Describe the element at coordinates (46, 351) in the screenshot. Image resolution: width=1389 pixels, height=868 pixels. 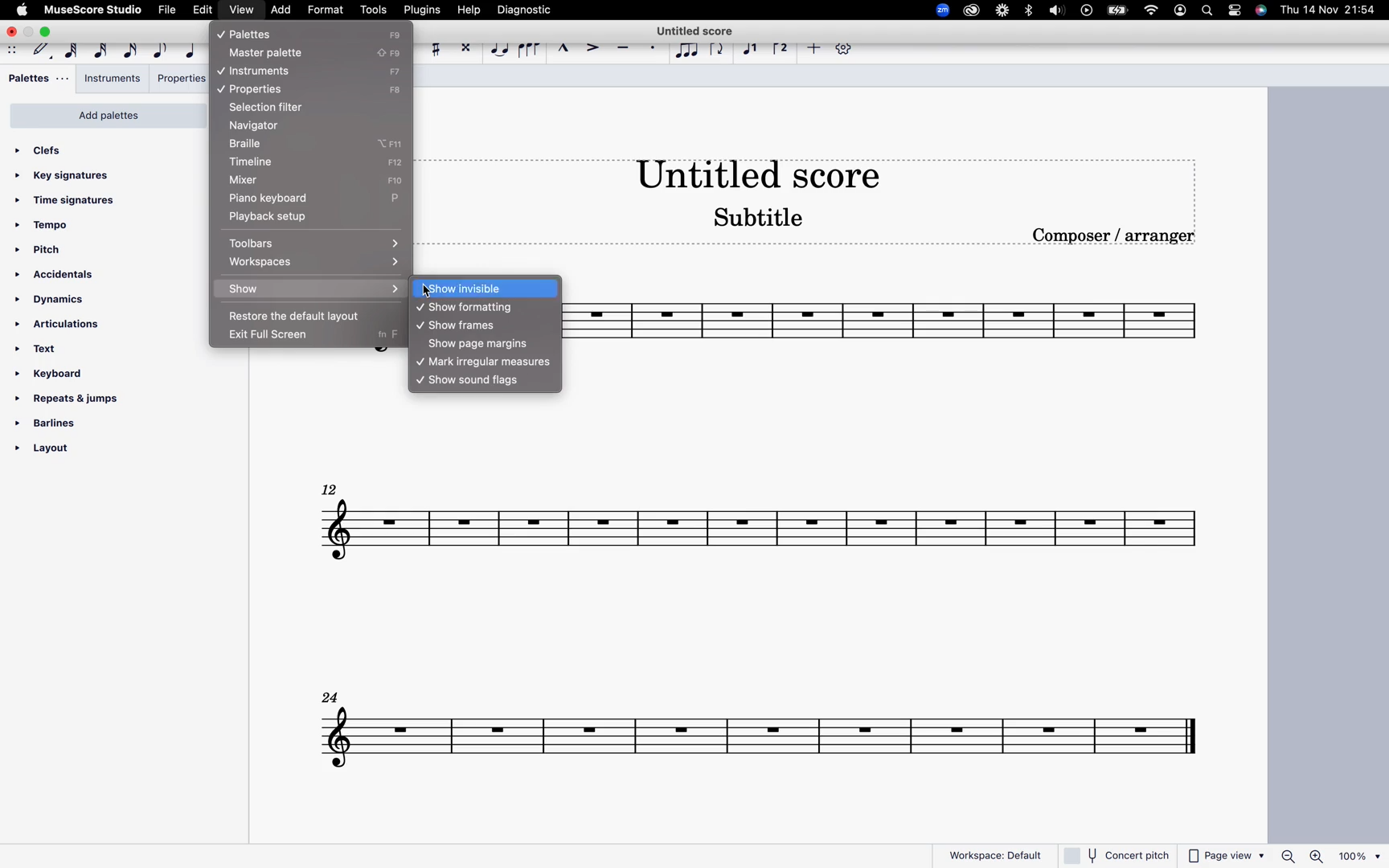
I see `text` at that location.